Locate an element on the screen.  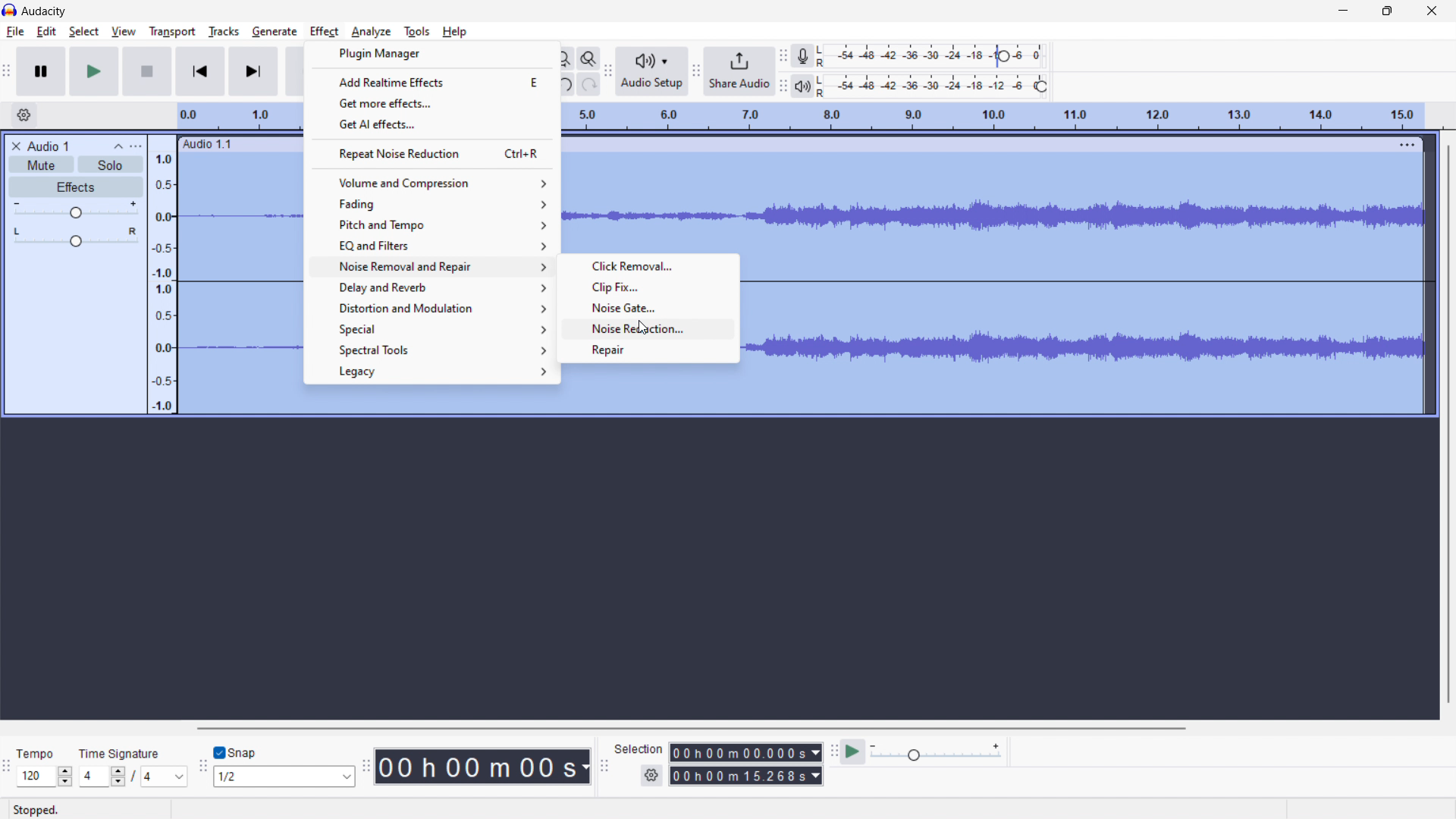
transport is located at coordinates (172, 33).